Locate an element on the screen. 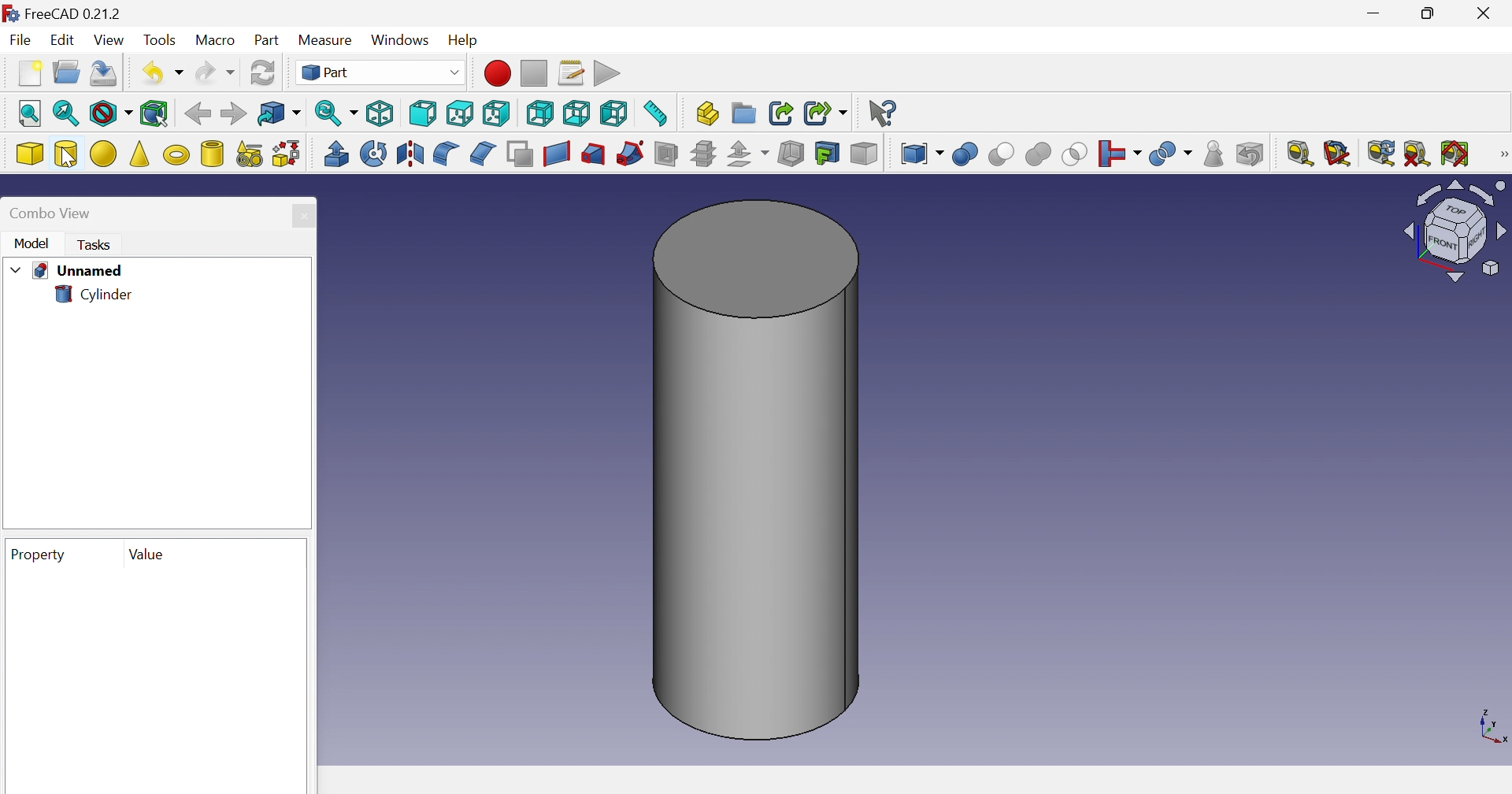 The height and width of the screenshot is (794, 1512). Minimize is located at coordinates (1374, 13).